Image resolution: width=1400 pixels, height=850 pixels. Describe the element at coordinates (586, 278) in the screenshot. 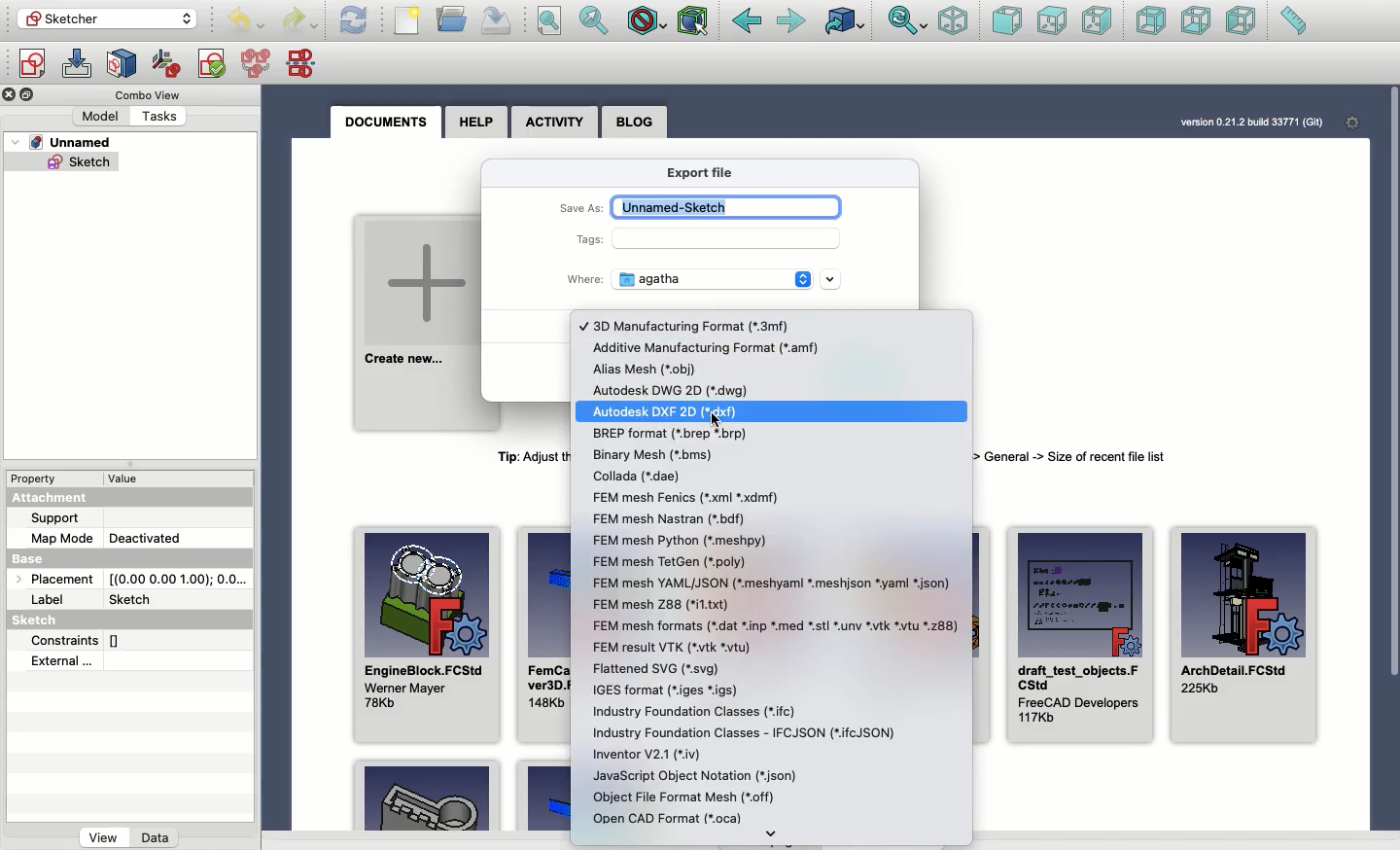

I see `Where` at that location.